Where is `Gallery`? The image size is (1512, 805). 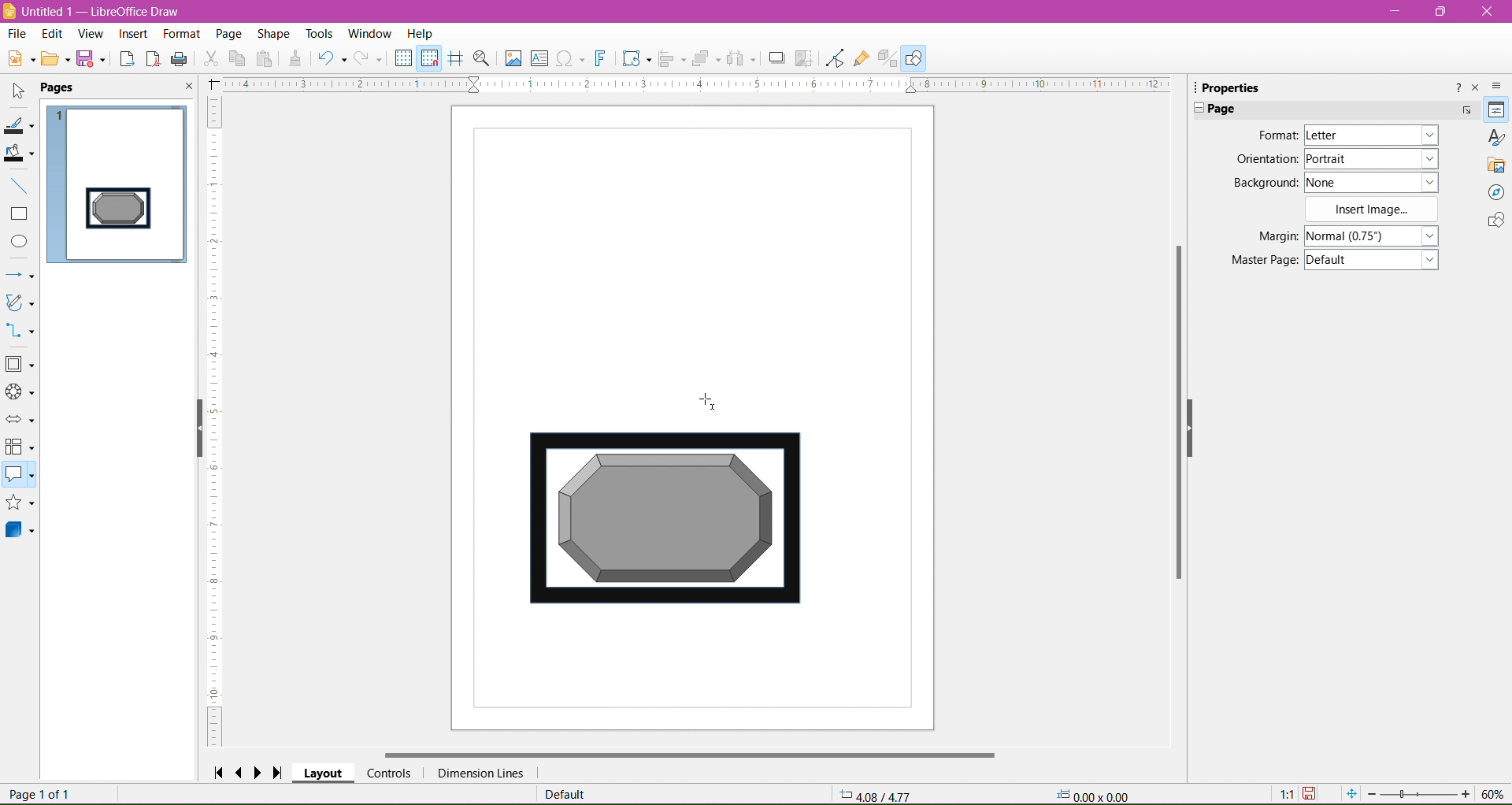 Gallery is located at coordinates (1496, 165).